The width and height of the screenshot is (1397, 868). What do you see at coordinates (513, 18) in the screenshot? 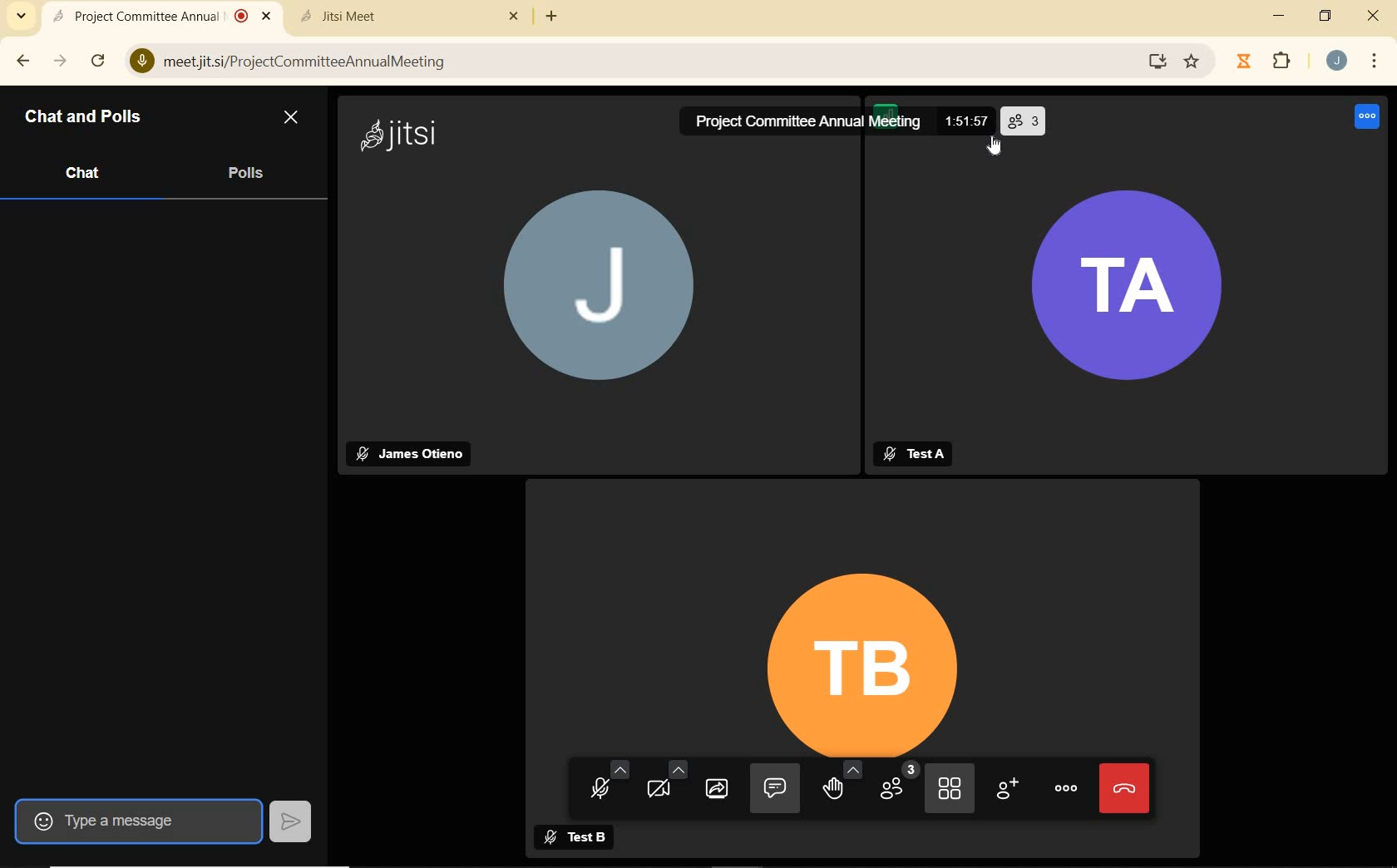
I see `close` at bounding box center [513, 18].